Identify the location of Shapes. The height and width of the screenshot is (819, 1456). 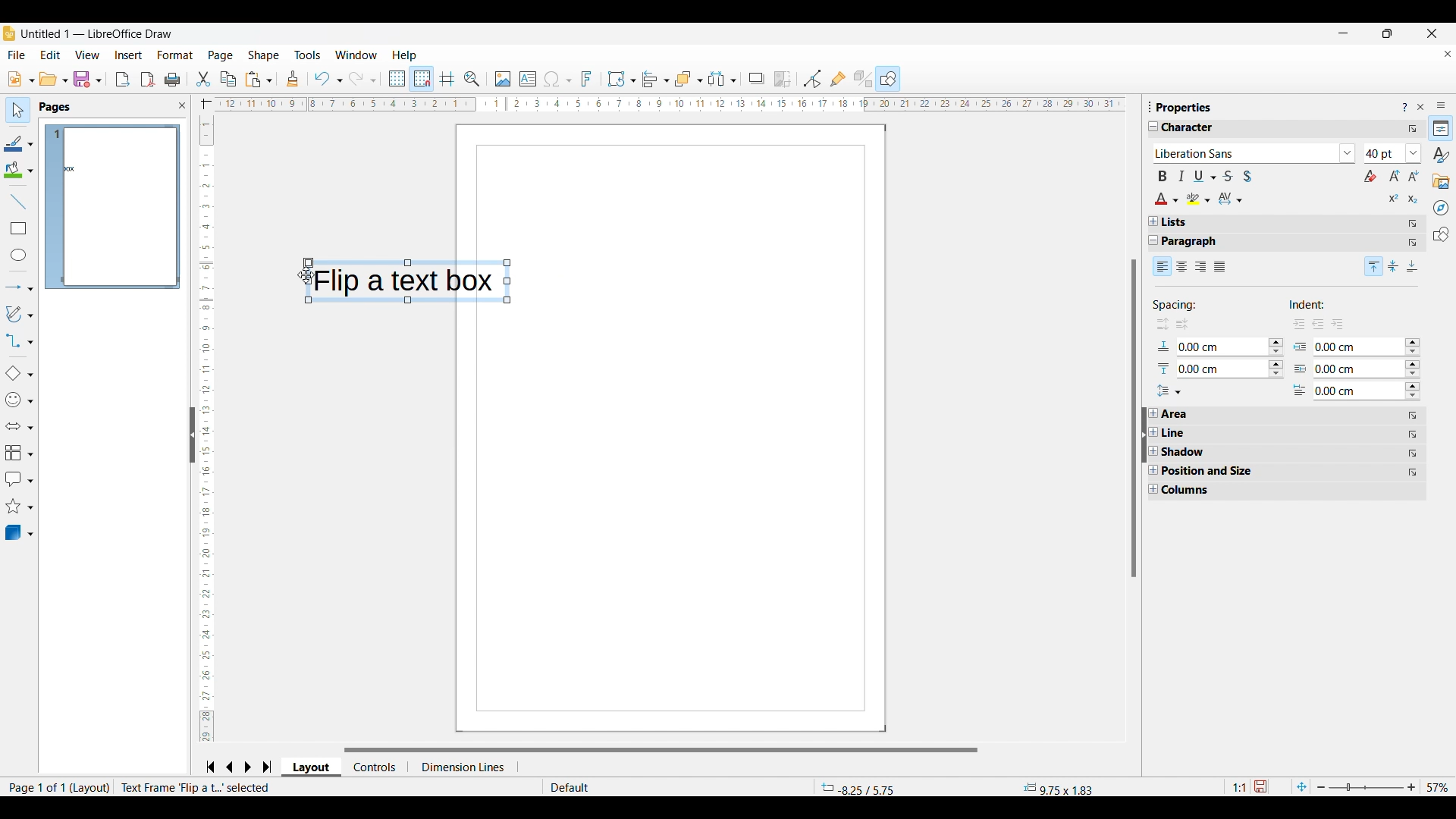
(1442, 234).